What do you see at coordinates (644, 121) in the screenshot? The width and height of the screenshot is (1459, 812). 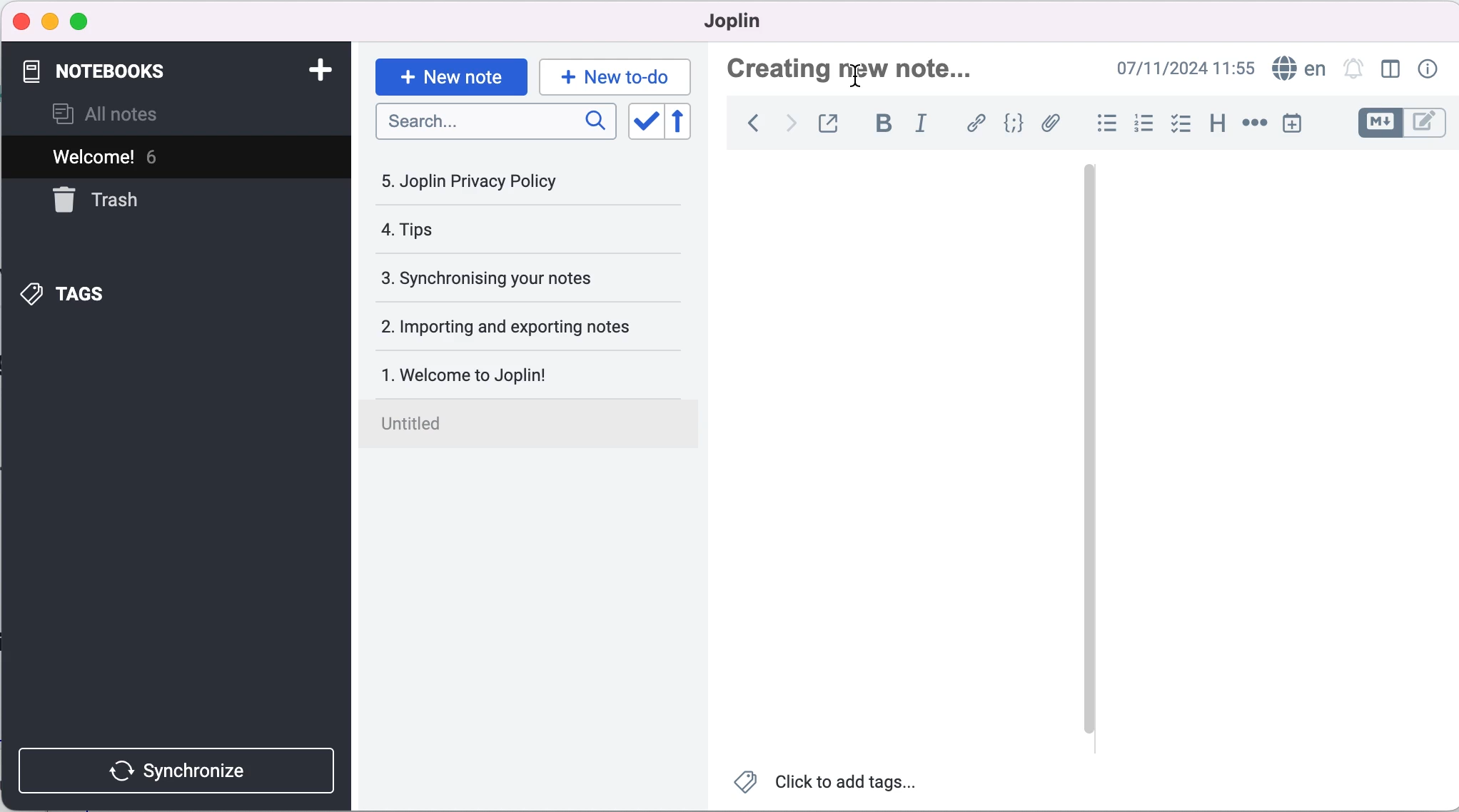 I see `toggle sort order field` at bounding box center [644, 121].